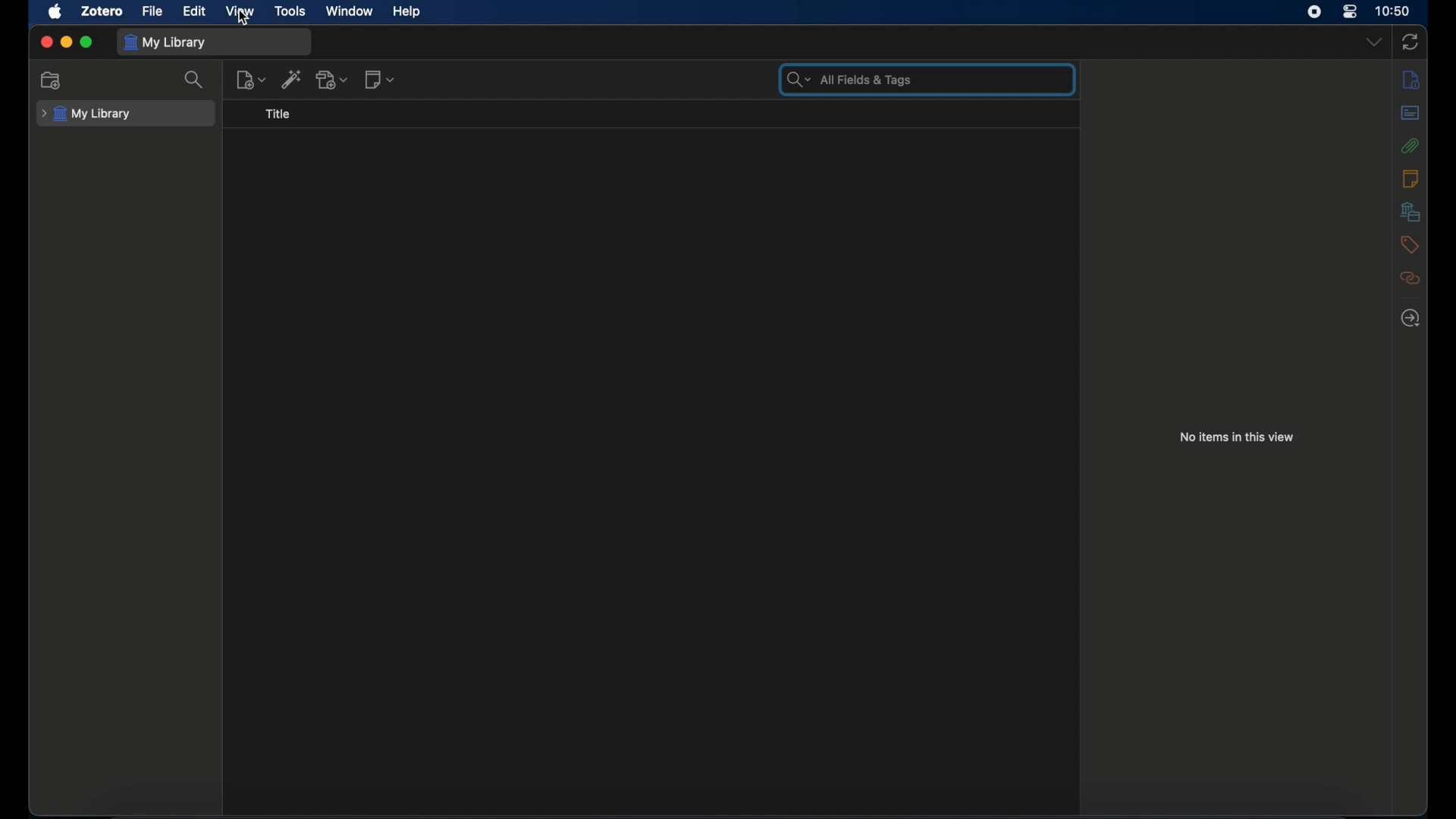  Describe the element at coordinates (250, 80) in the screenshot. I see `new items` at that location.